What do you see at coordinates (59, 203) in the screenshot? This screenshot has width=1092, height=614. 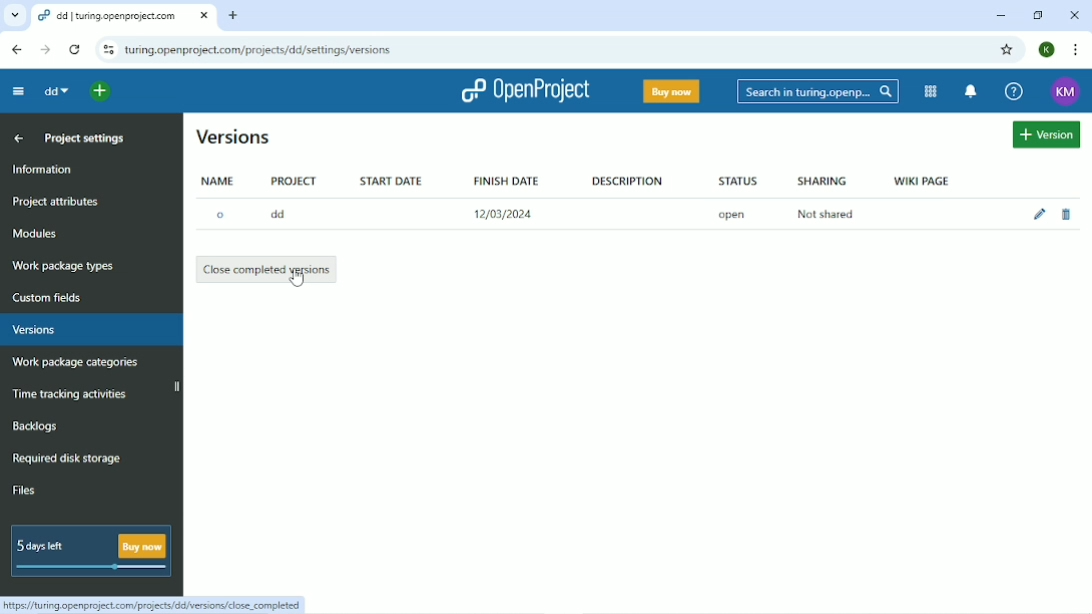 I see `Project attributes` at bounding box center [59, 203].